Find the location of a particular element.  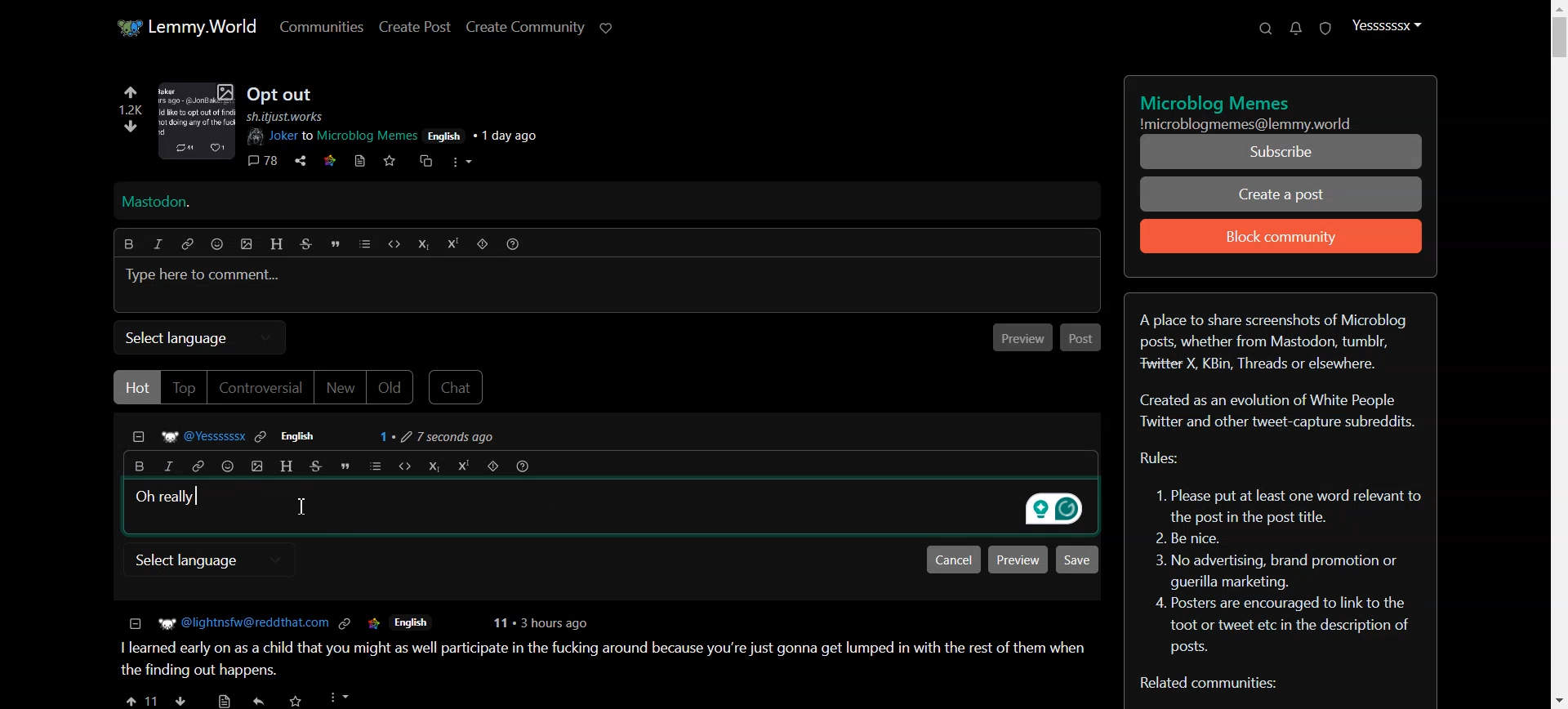

Top is located at coordinates (184, 388).